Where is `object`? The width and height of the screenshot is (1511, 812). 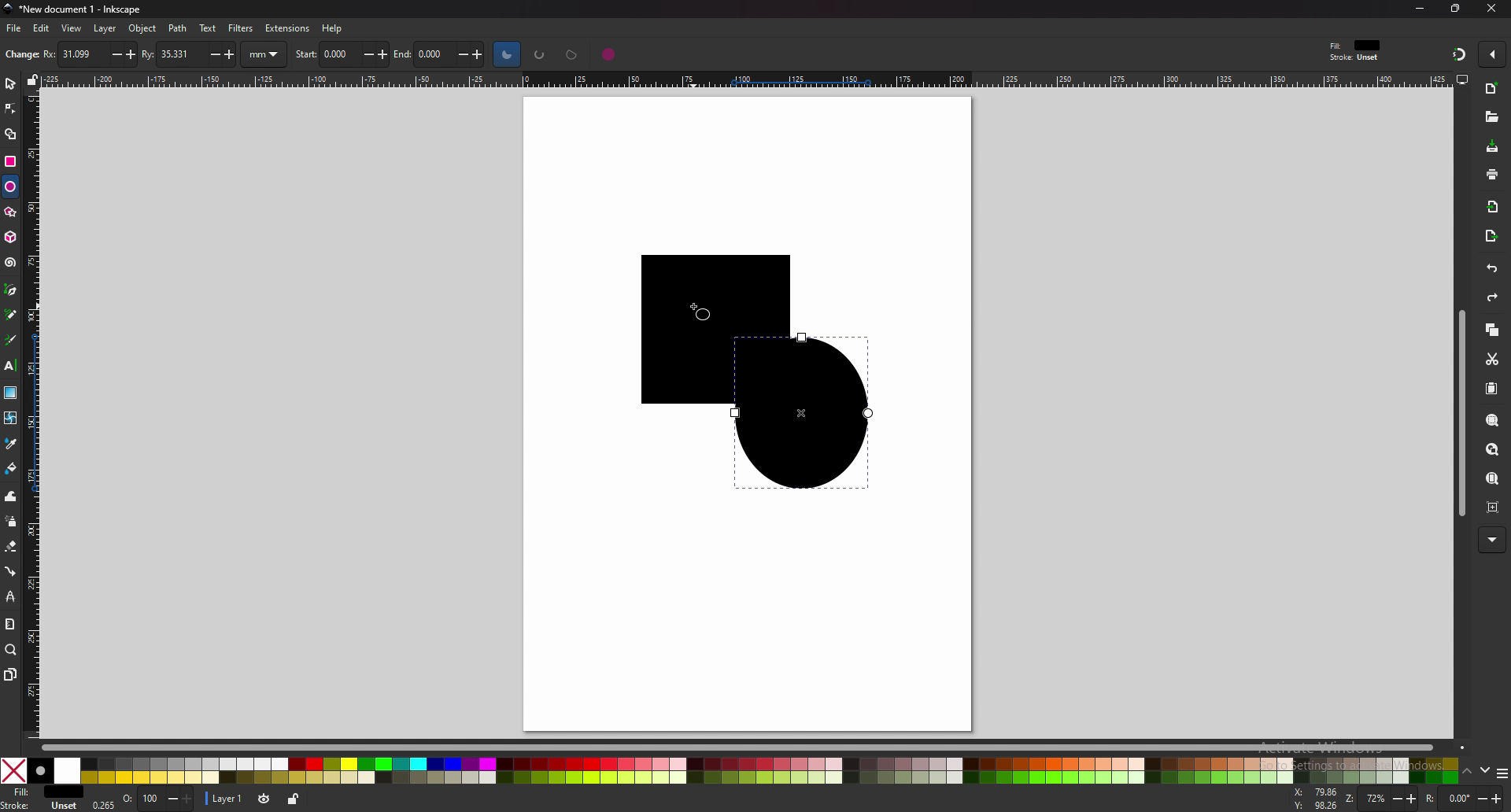
object is located at coordinates (142, 28).